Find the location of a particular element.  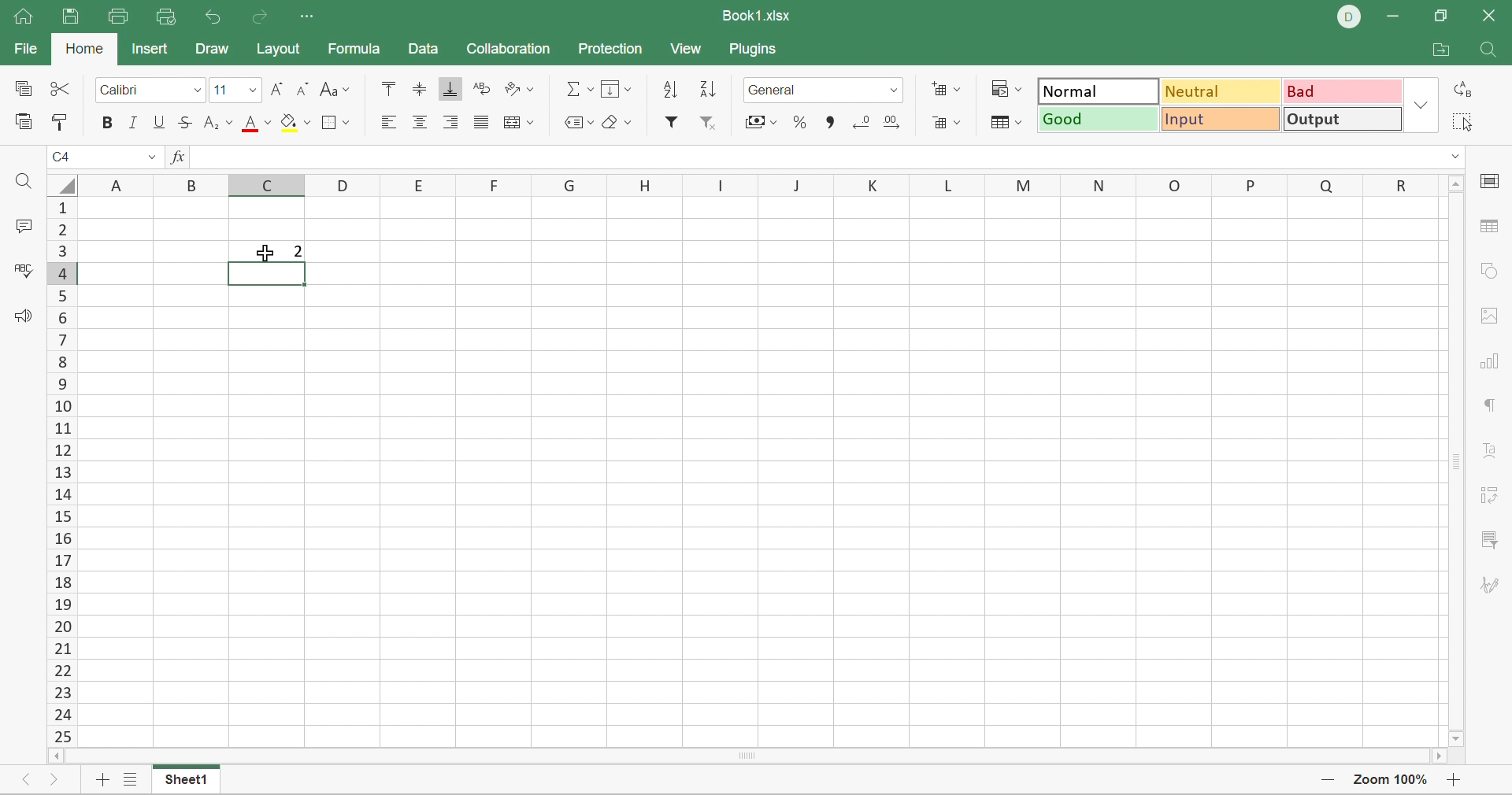

Remove filter is located at coordinates (710, 121).